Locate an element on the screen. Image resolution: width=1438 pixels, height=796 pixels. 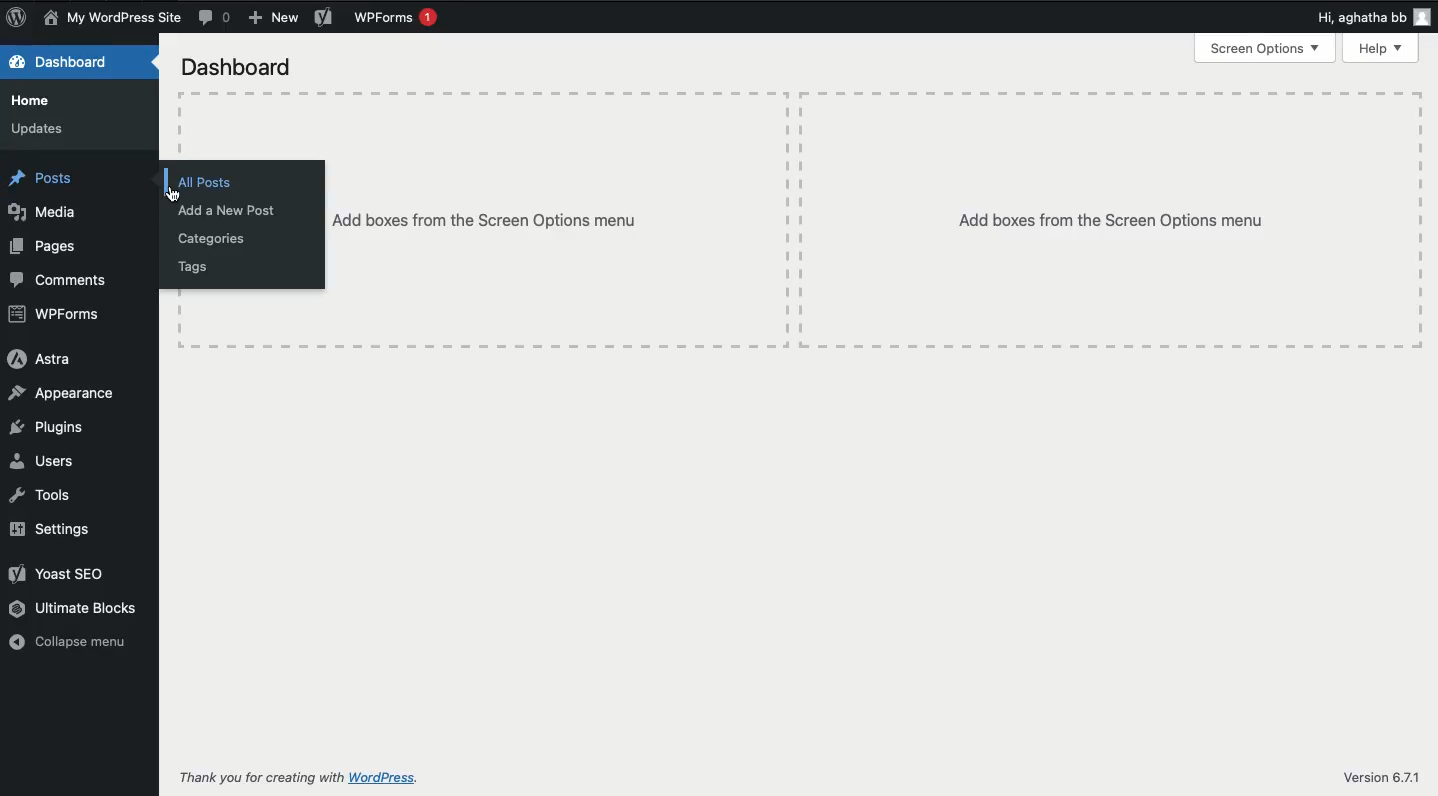
Settings is located at coordinates (57, 529).